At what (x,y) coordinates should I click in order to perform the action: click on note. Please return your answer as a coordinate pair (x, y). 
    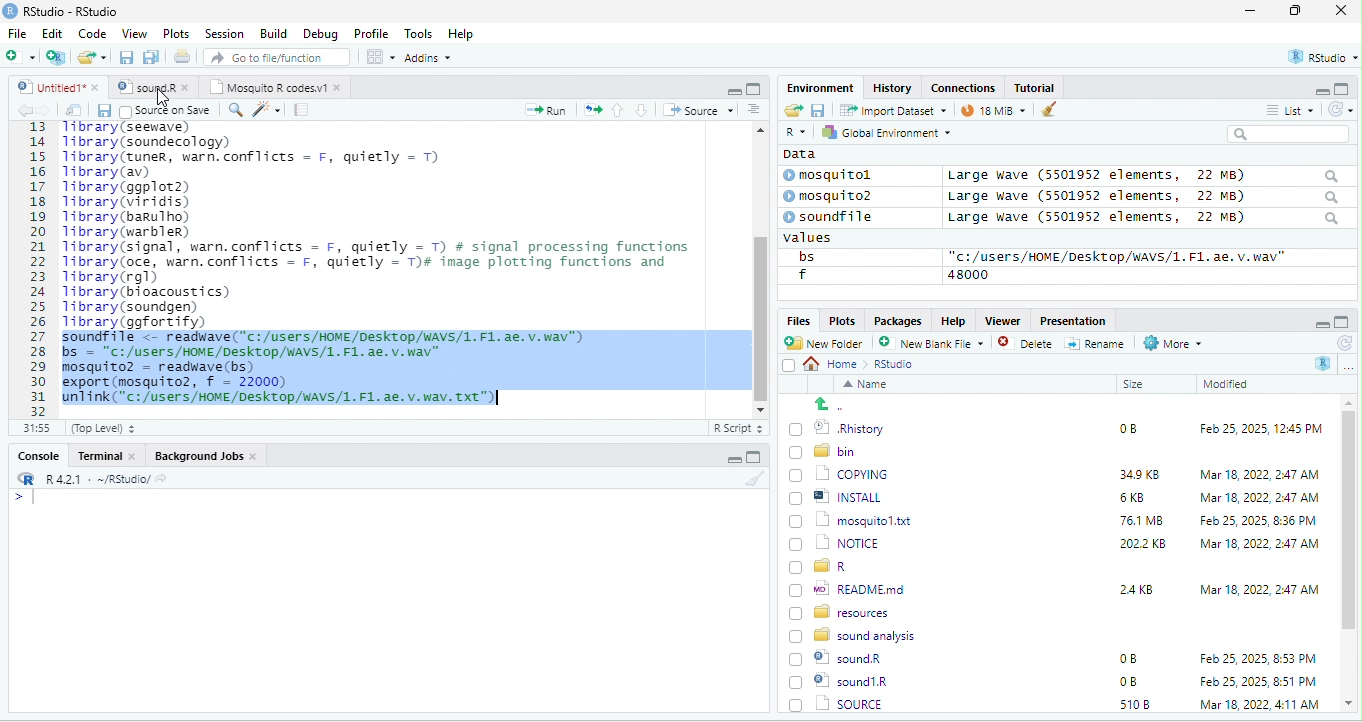
    Looking at the image, I should click on (302, 109).